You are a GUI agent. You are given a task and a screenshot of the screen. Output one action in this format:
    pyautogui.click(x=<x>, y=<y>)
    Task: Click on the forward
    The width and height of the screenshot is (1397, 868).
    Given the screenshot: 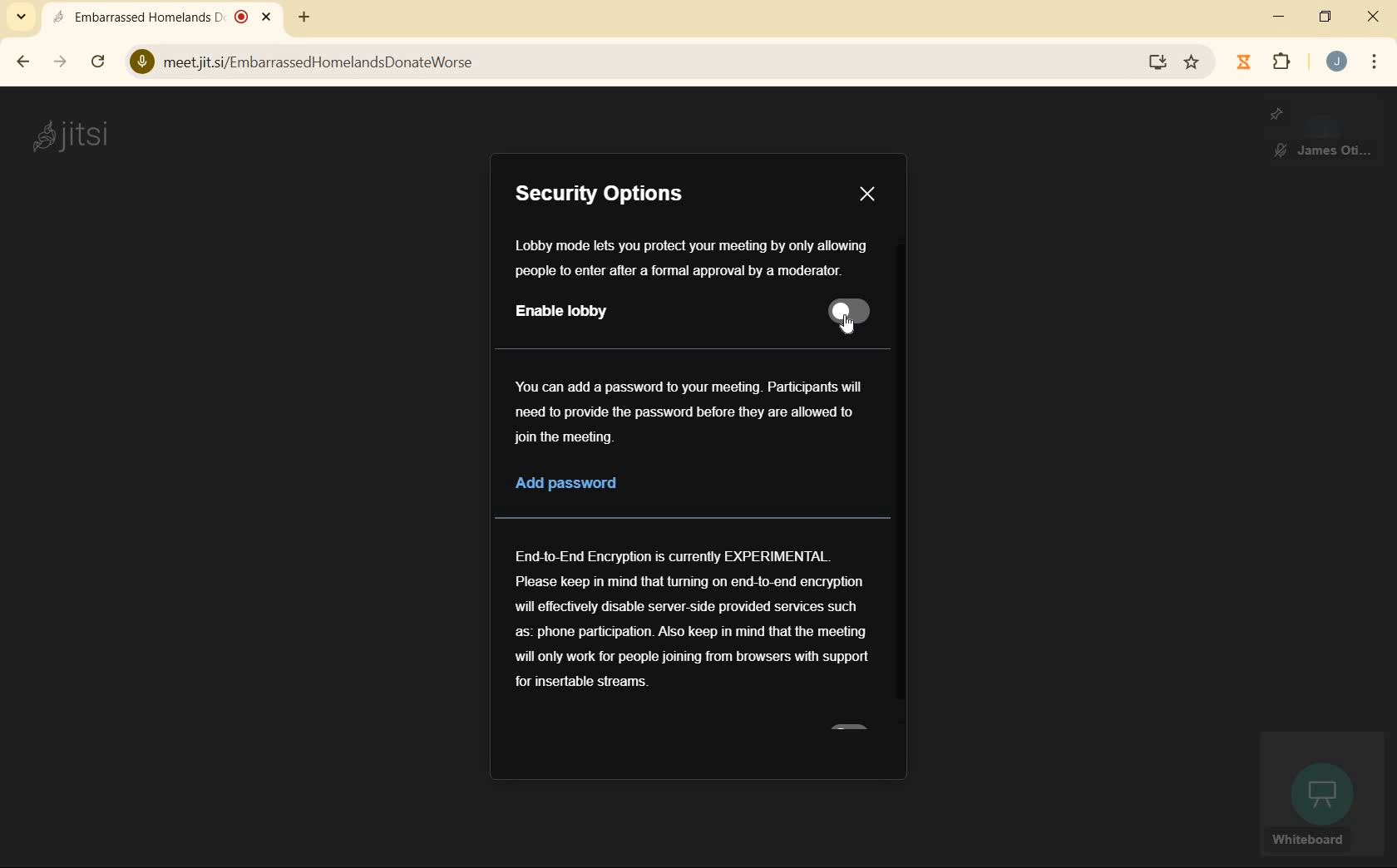 What is the action you would take?
    pyautogui.click(x=60, y=62)
    